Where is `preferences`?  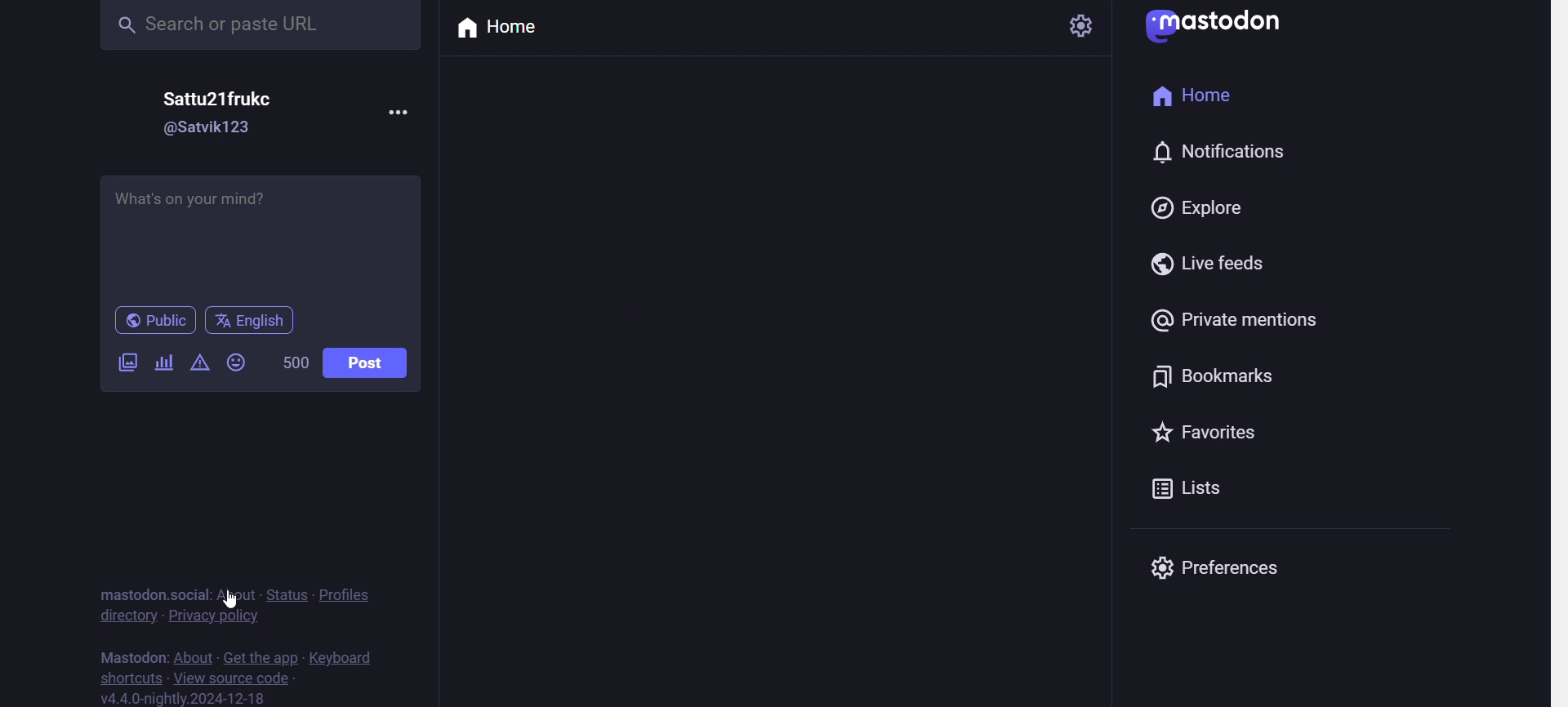 preferences is located at coordinates (1241, 574).